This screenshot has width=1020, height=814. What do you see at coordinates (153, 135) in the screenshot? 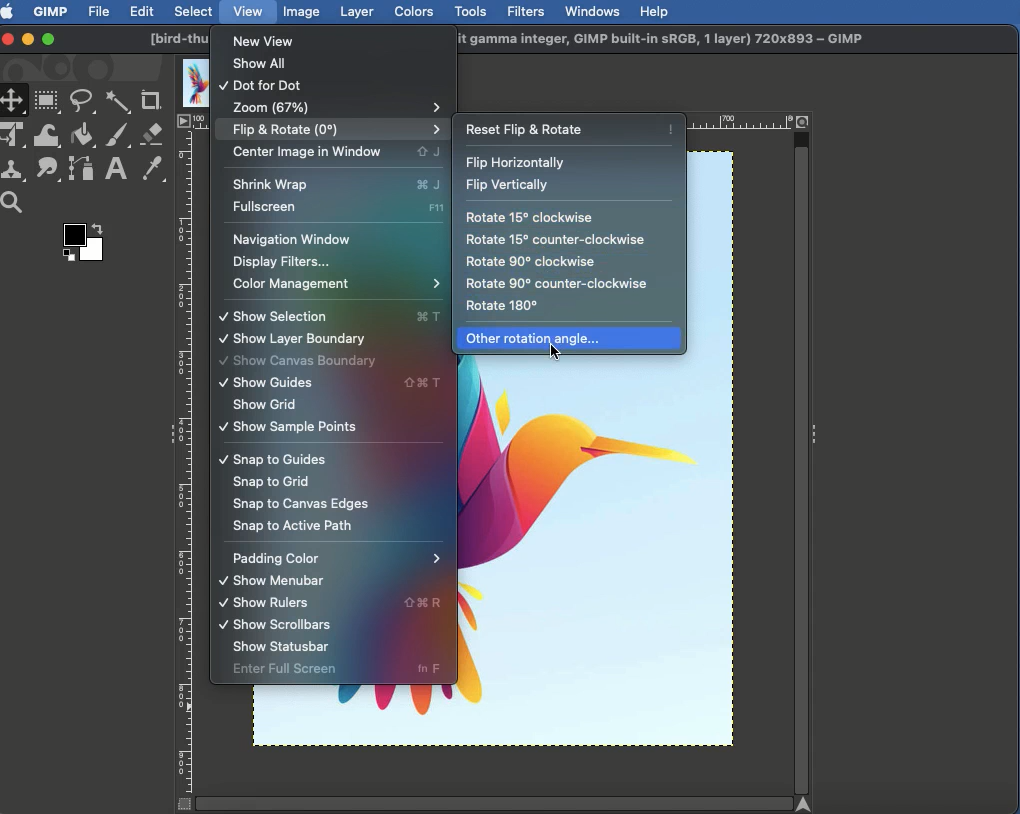
I see `Eraser` at bounding box center [153, 135].